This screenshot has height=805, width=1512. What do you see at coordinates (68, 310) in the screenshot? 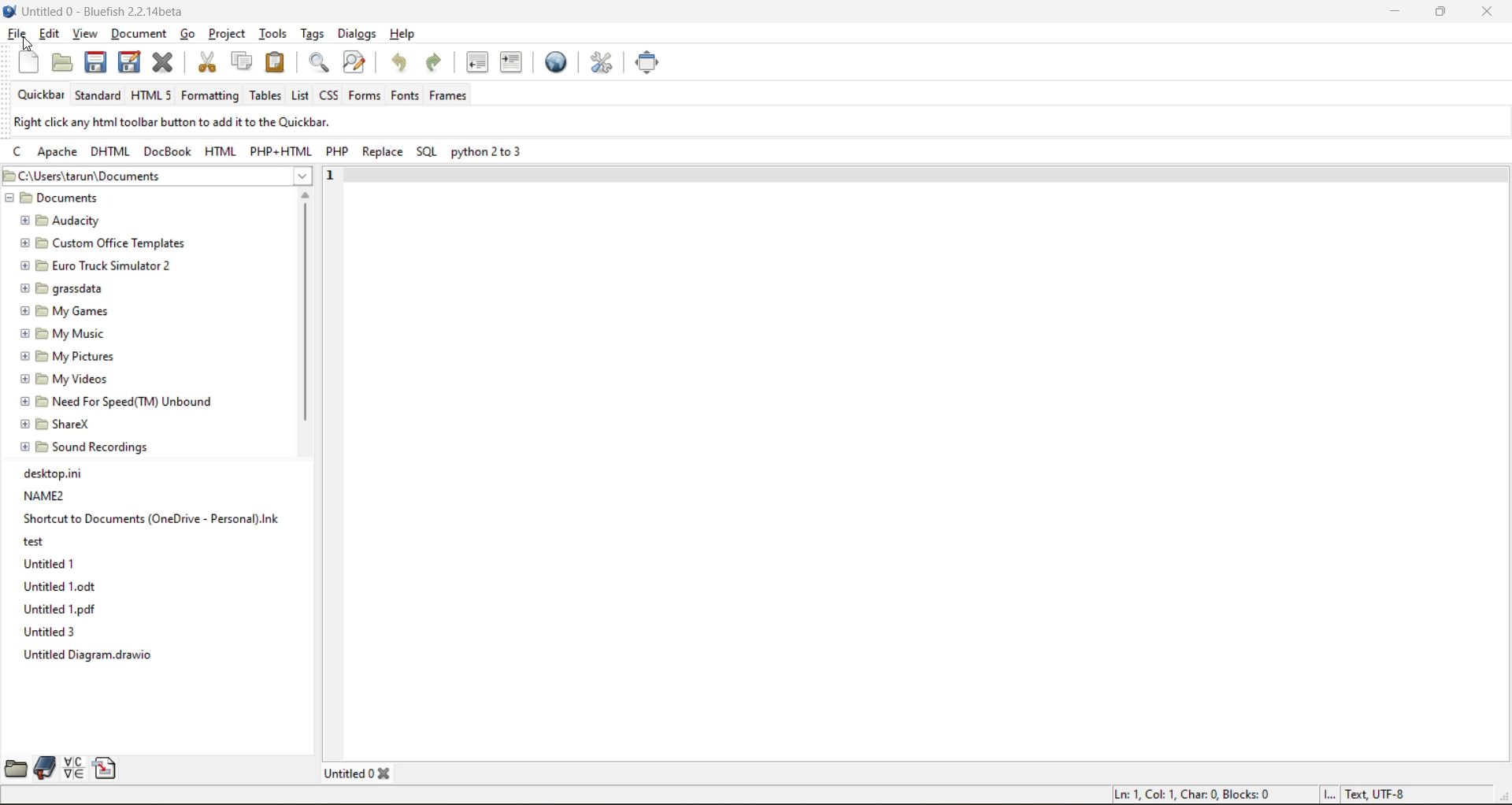
I see `My Games` at bounding box center [68, 310].